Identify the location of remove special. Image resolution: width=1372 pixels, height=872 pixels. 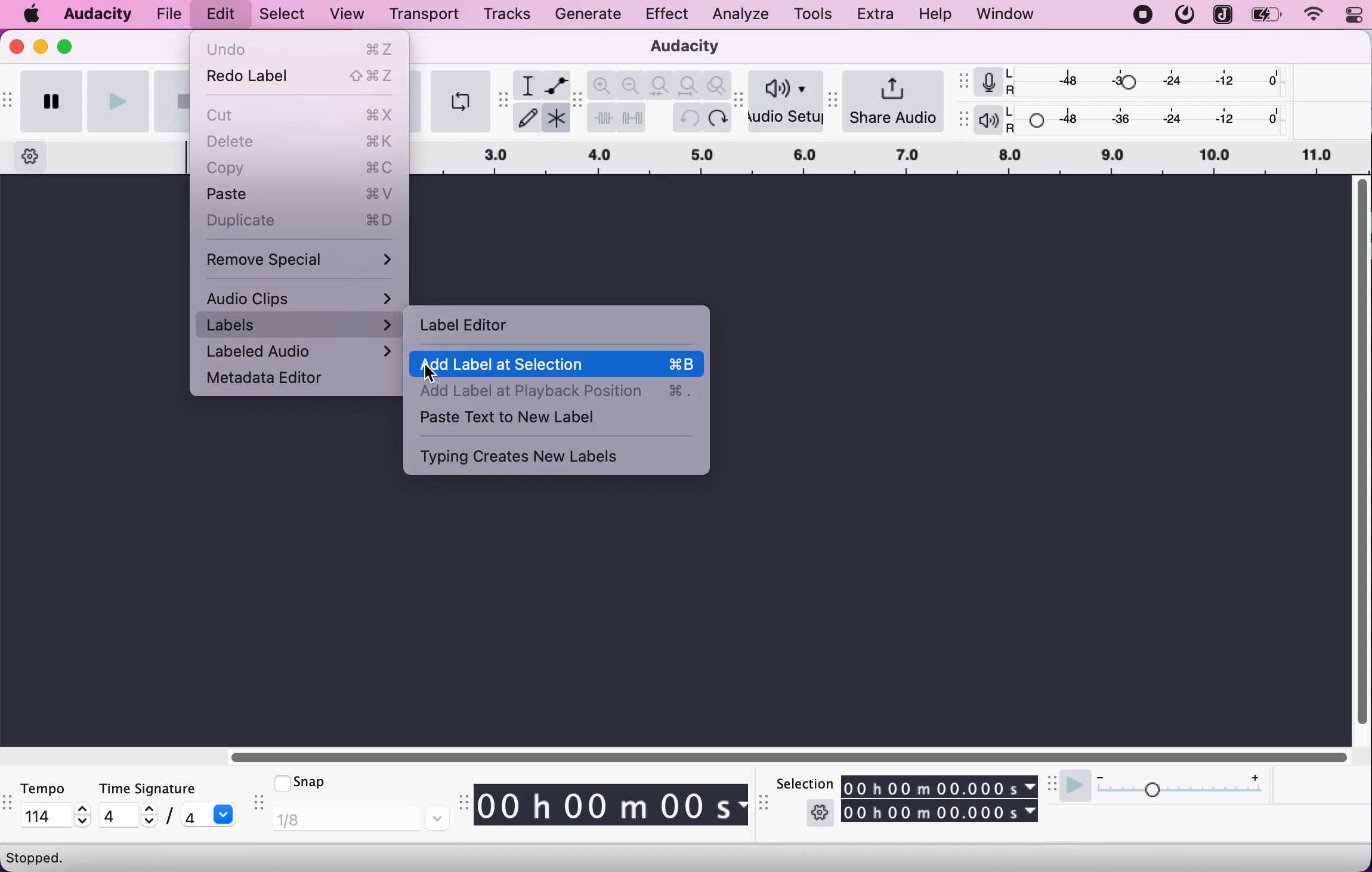
(302, 257).